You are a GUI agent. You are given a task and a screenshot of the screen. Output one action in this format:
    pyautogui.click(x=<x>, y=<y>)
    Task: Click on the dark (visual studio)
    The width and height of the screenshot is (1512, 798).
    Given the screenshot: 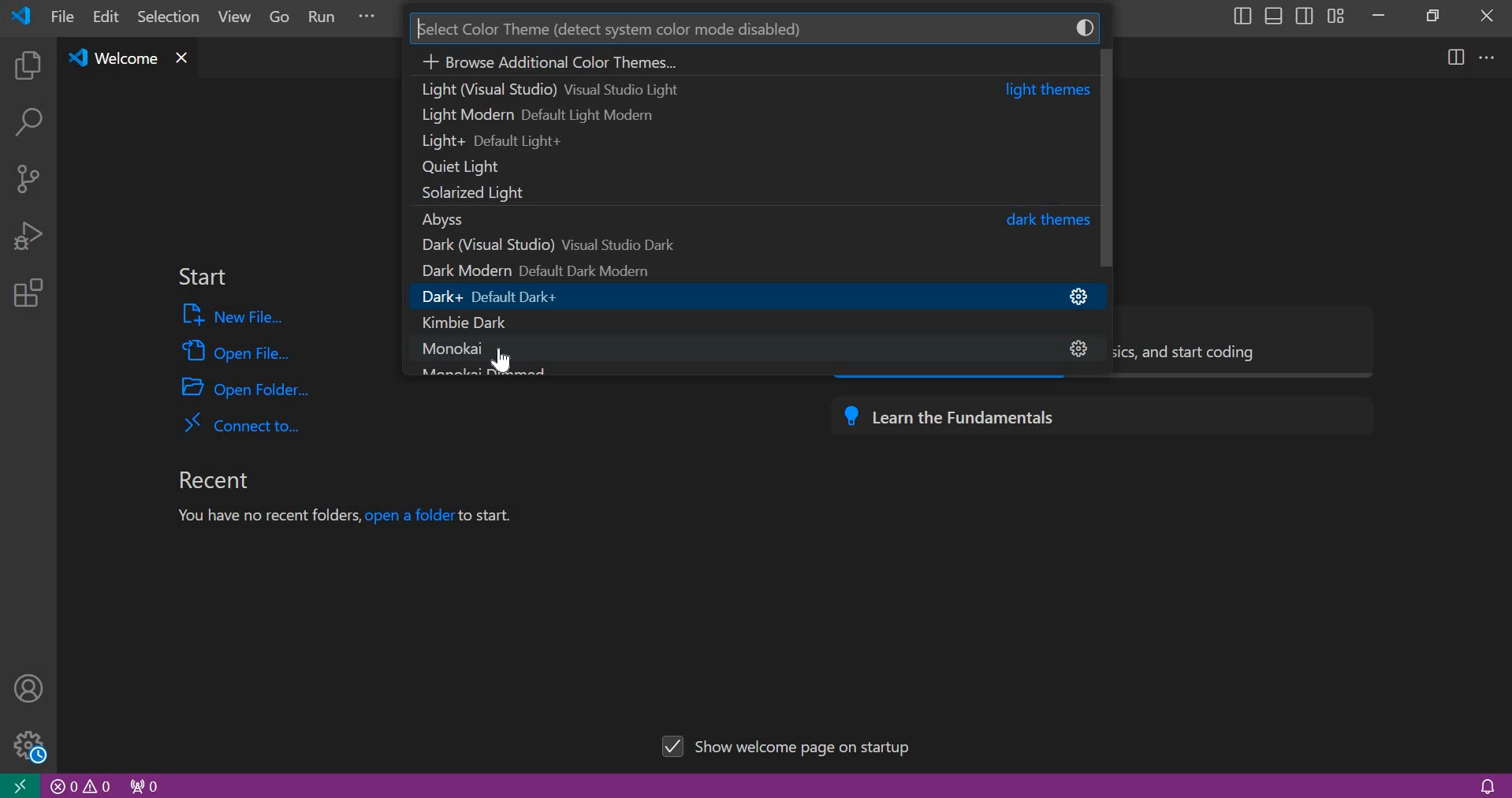 What is the action you would take?
    pyautogui.click(x=743, y=245)
    